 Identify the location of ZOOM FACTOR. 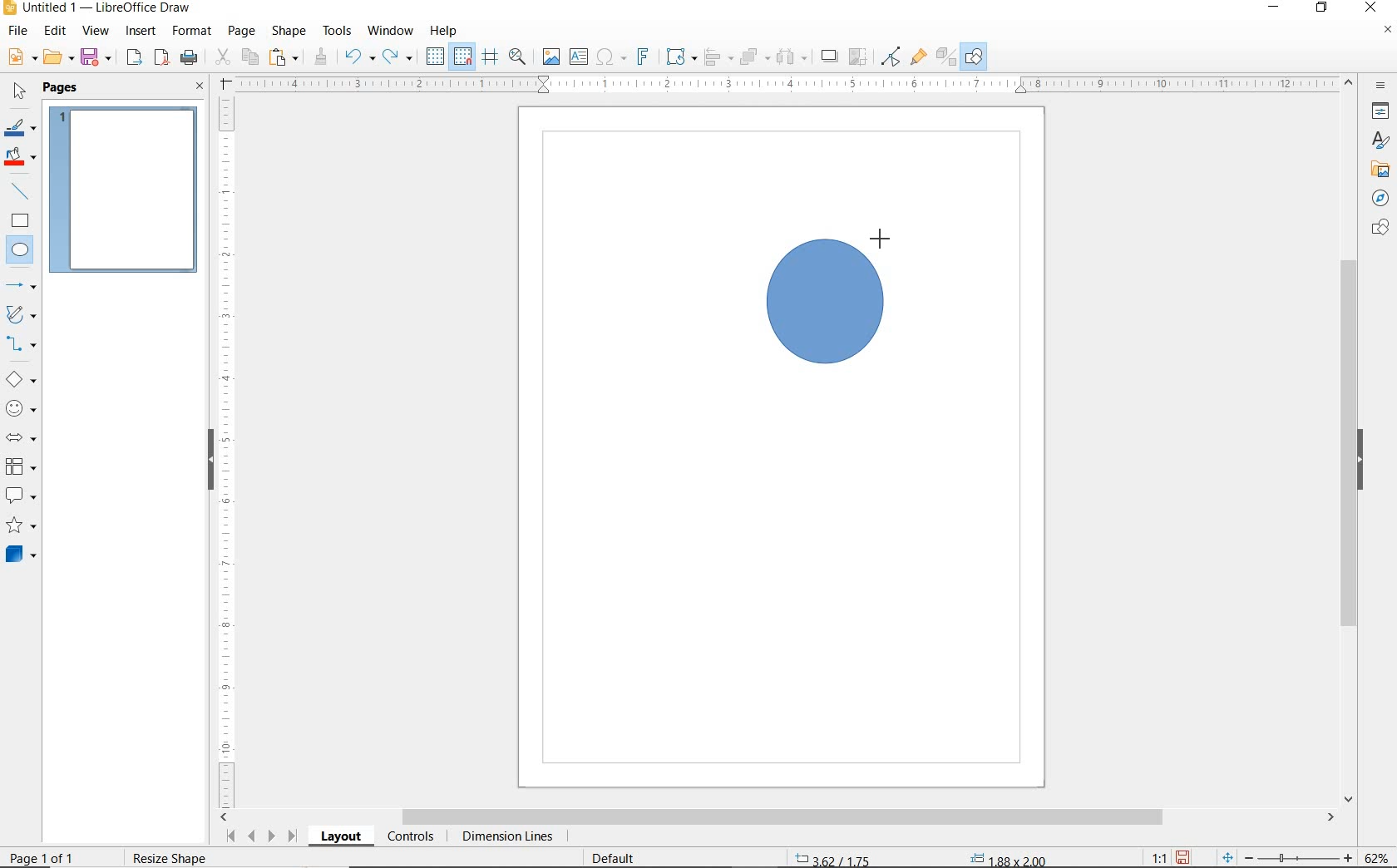
(1377, 855).